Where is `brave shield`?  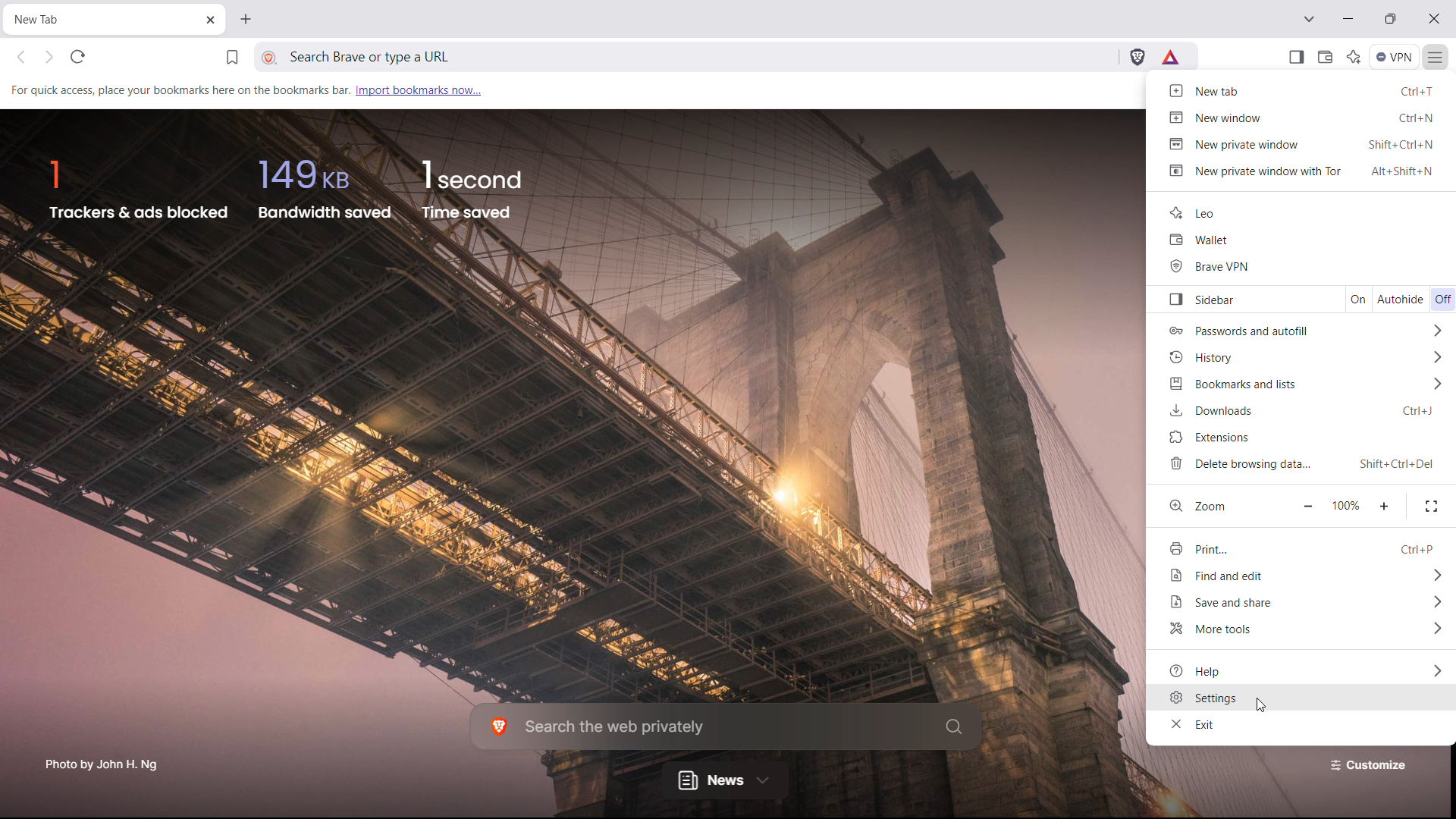
brave shield is located at coordinates (1137, 58).